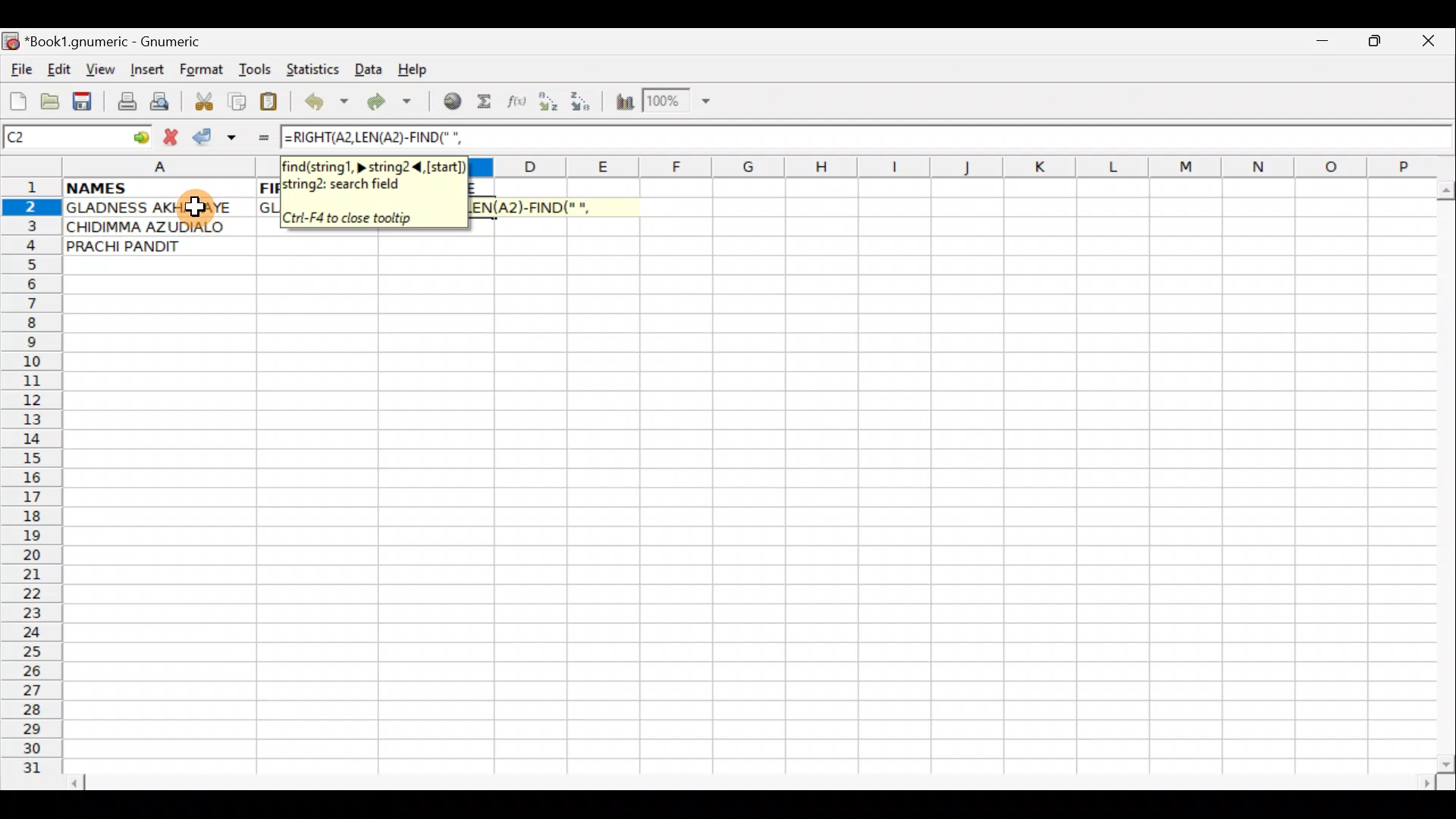  Describe the element at coordinates (754, 780) in the screenshot. I see `Scroll bar` at that location.